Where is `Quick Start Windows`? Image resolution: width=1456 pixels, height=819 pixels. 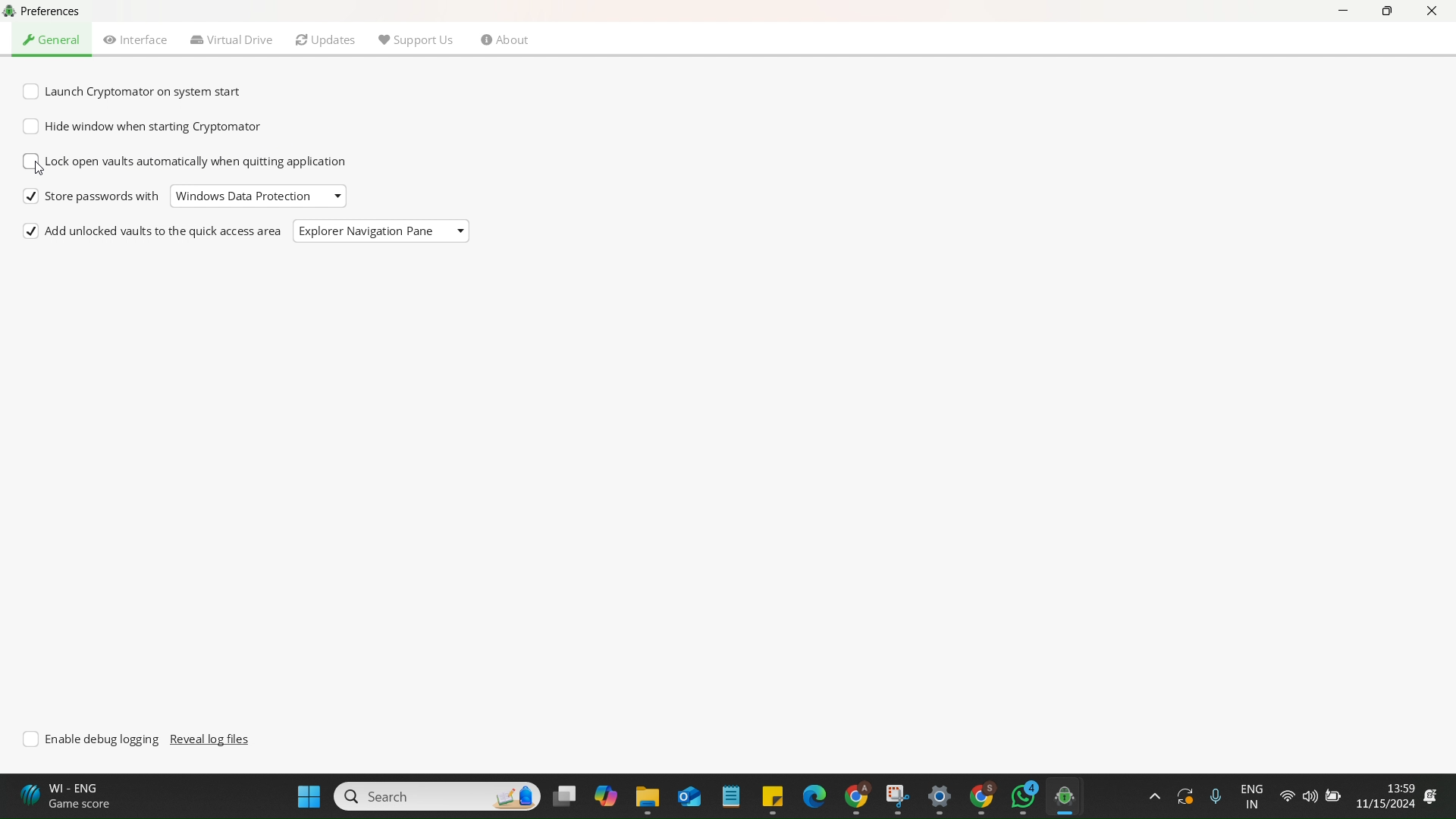 Quick Start Windows is located at coordinates (309, 795).